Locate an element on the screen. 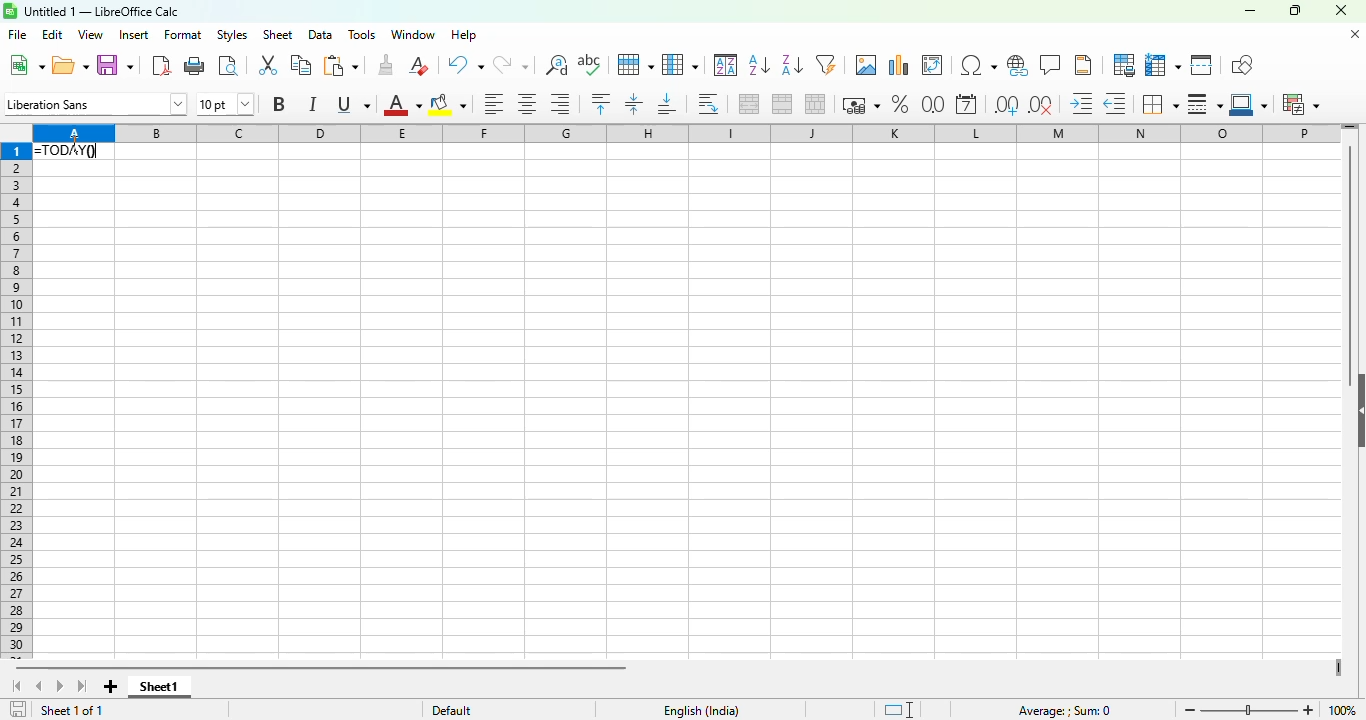  align center is located at coordinates (527, 105).